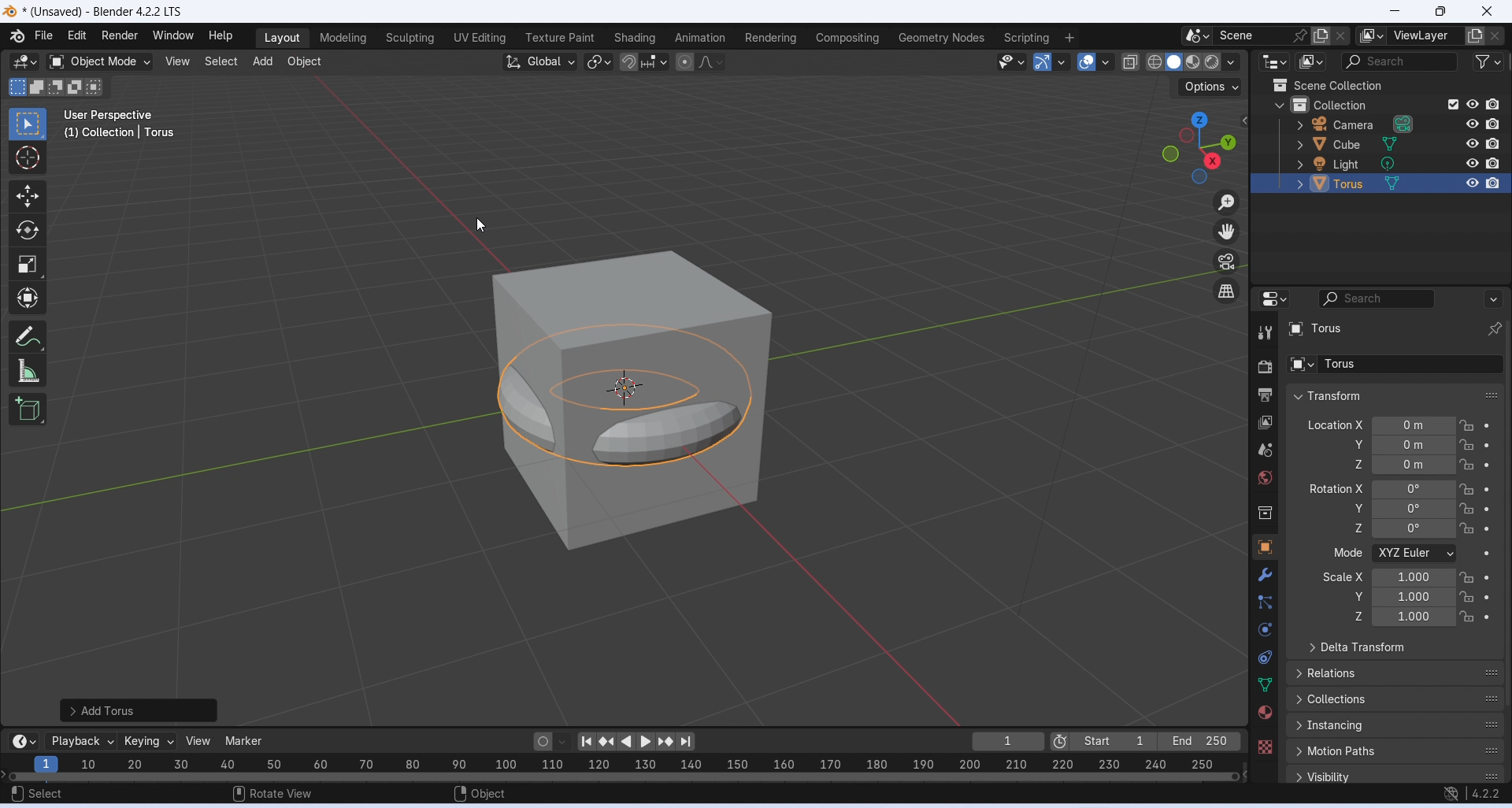 This screenshot has height=808, width=1512. Describe the element at coordinates (1264, 628) in the screenshot. I see `Physics` at that location.